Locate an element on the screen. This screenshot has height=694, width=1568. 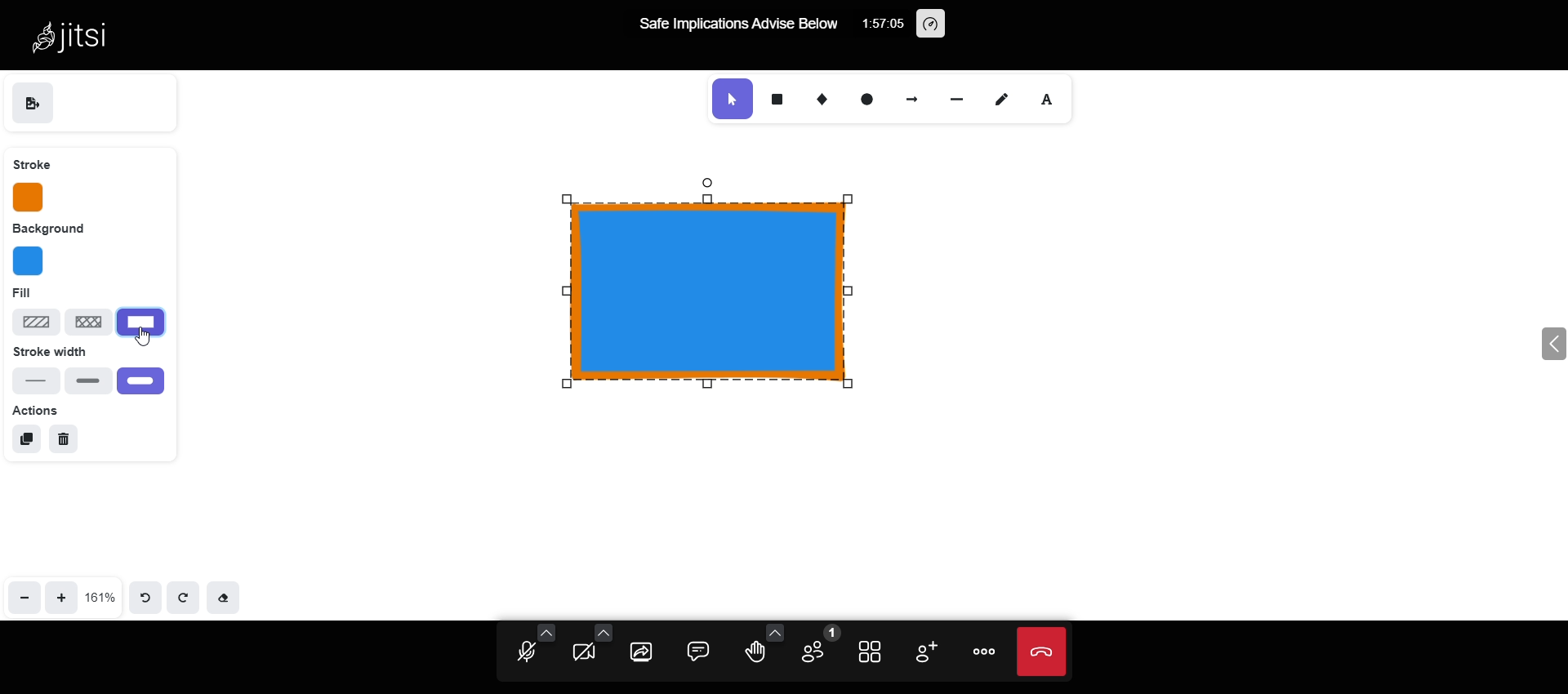
font is located at coordinates (1049, 99).